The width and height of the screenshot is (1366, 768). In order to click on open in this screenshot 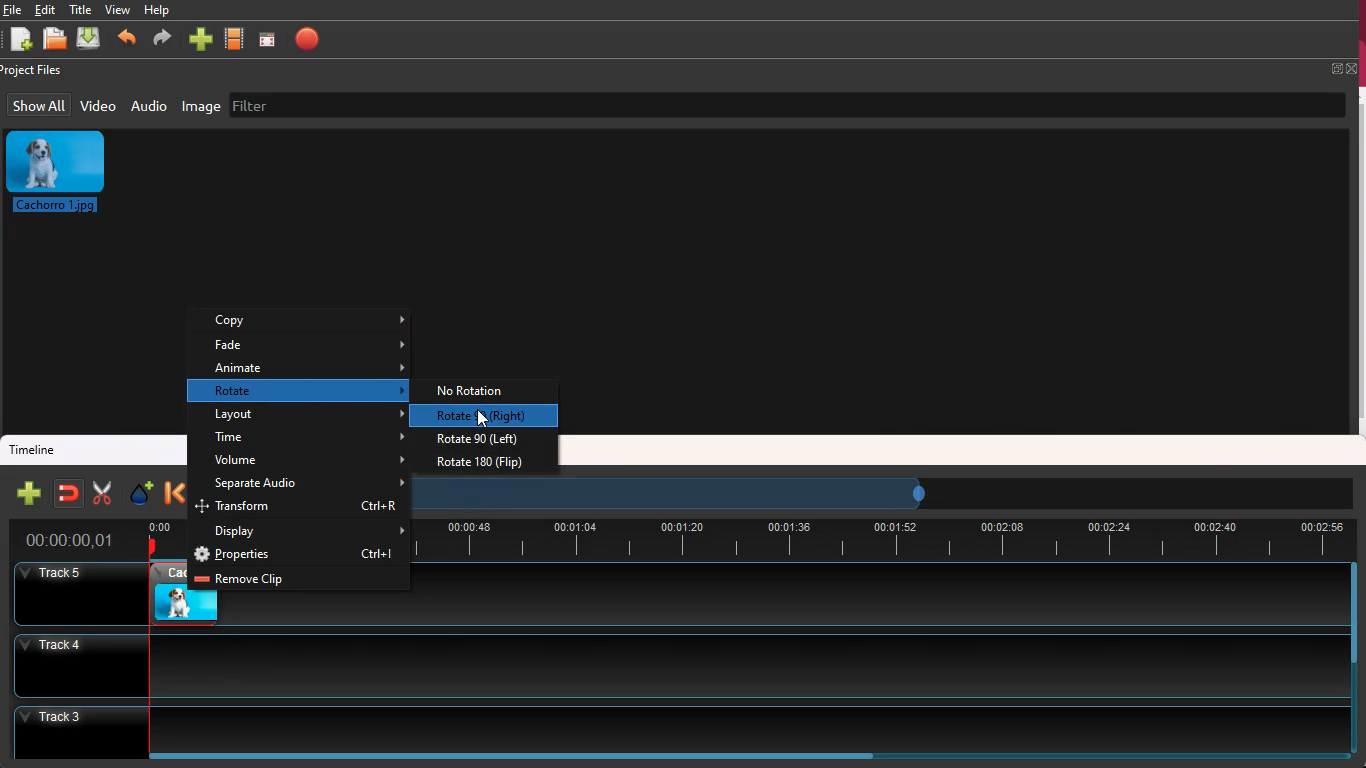, I will do `click(55, 40)`.